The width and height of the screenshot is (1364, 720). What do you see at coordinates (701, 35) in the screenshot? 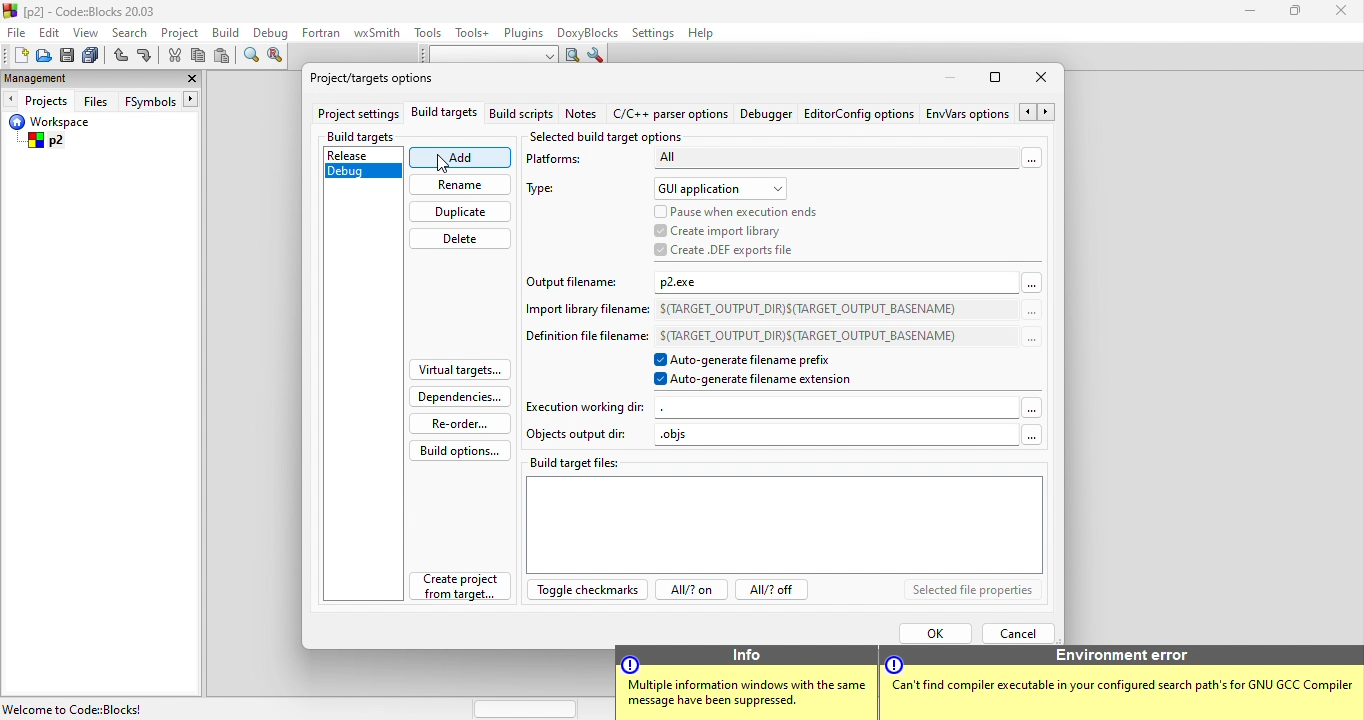
I see `help` at bounding box center [701, 35].